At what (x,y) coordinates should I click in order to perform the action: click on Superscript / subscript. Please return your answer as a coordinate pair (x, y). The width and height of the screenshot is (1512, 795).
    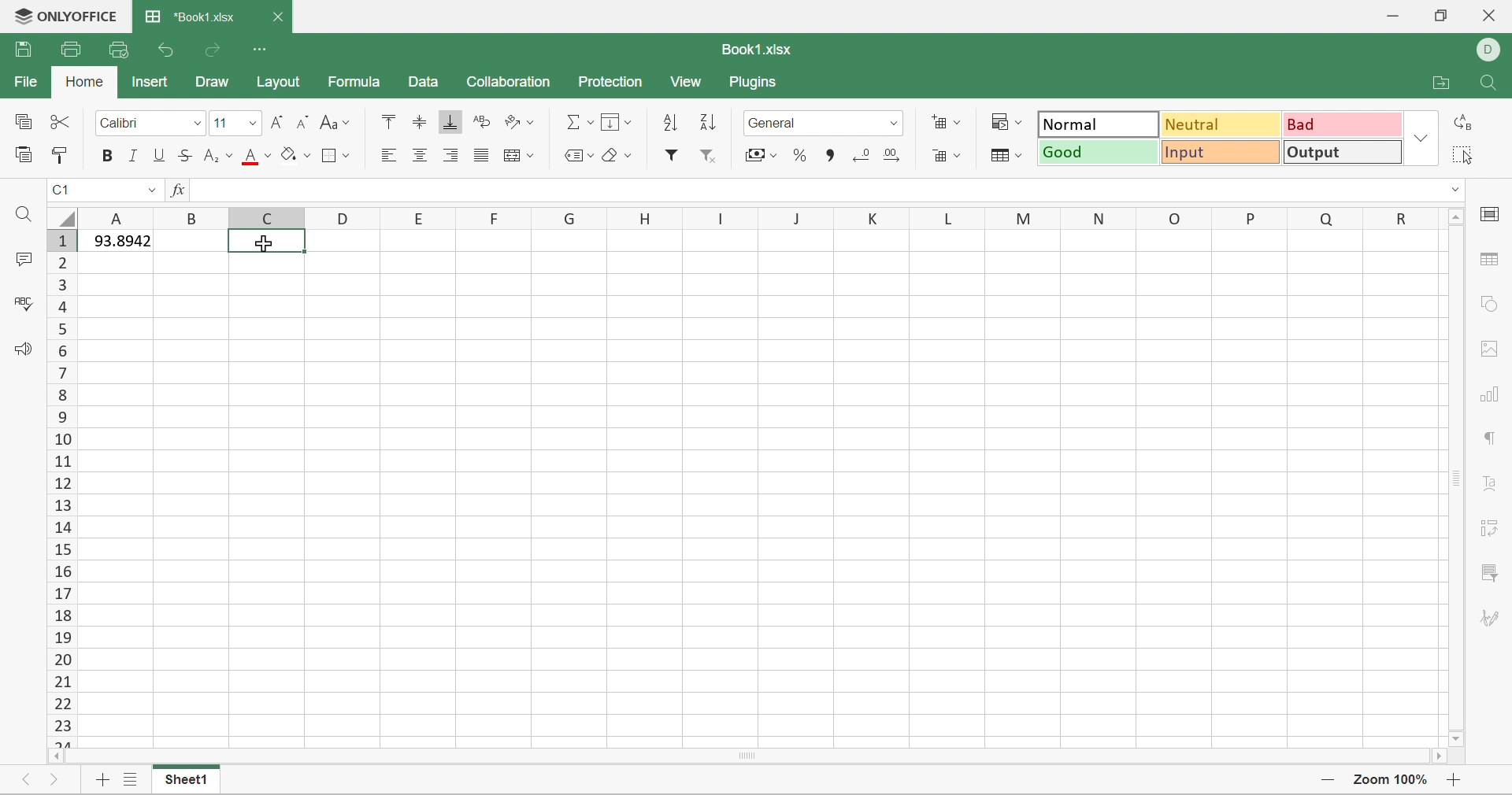
    Looking at the image, I should click on (220, 155).